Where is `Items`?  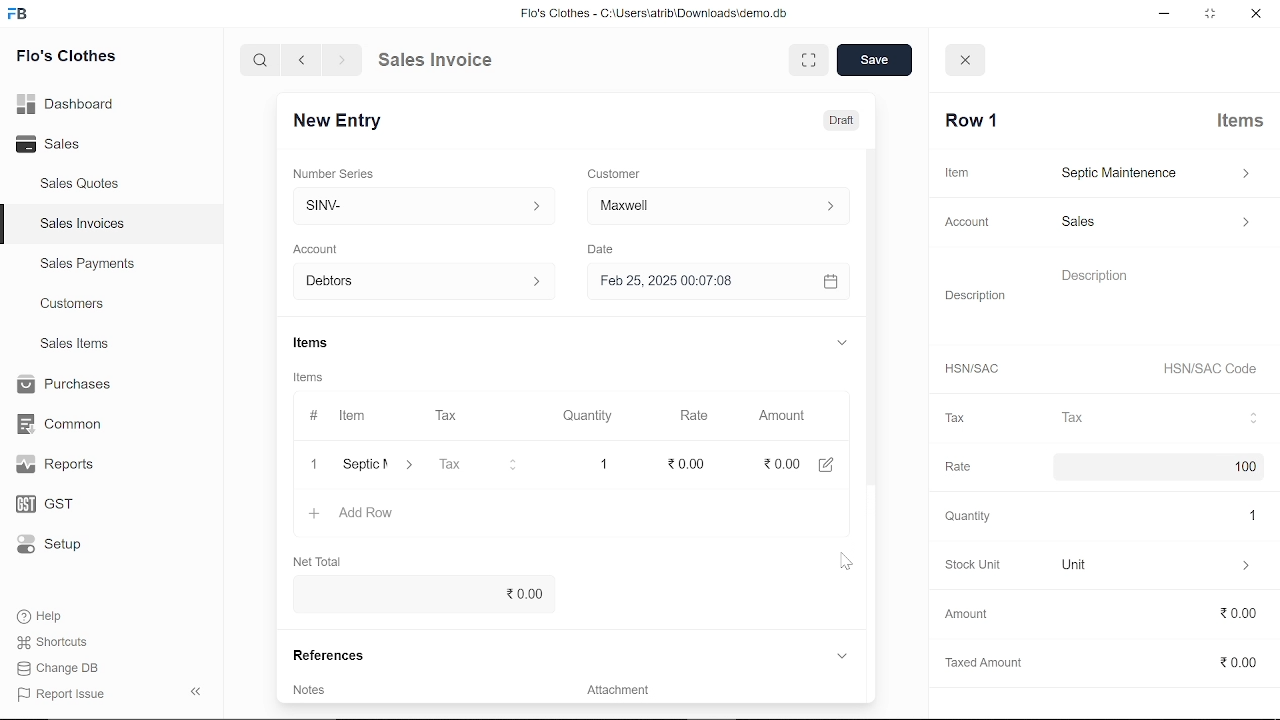 Items is located at coordinates (1242, 123).